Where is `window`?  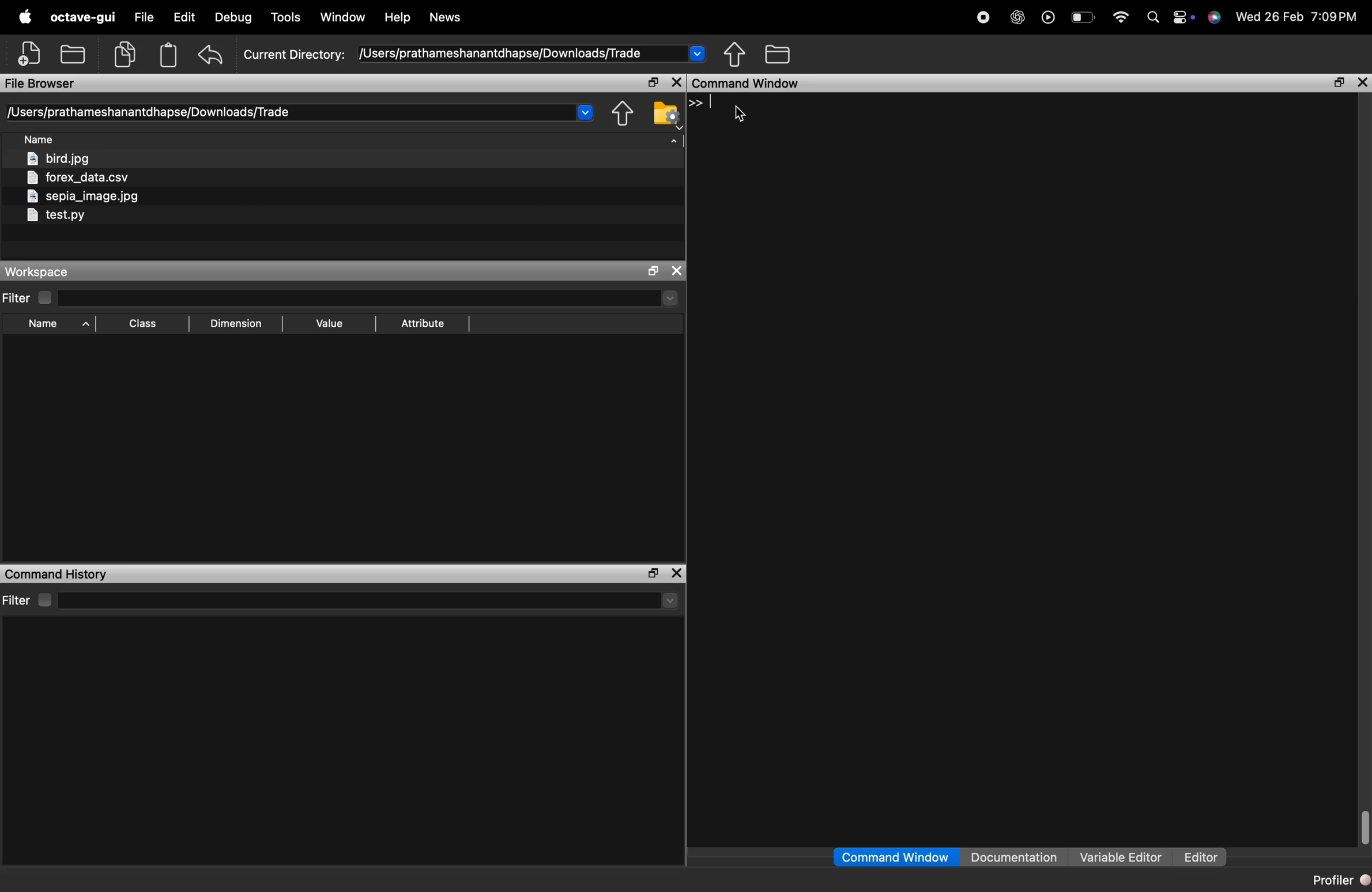
window is located at coordinates (344, 18).